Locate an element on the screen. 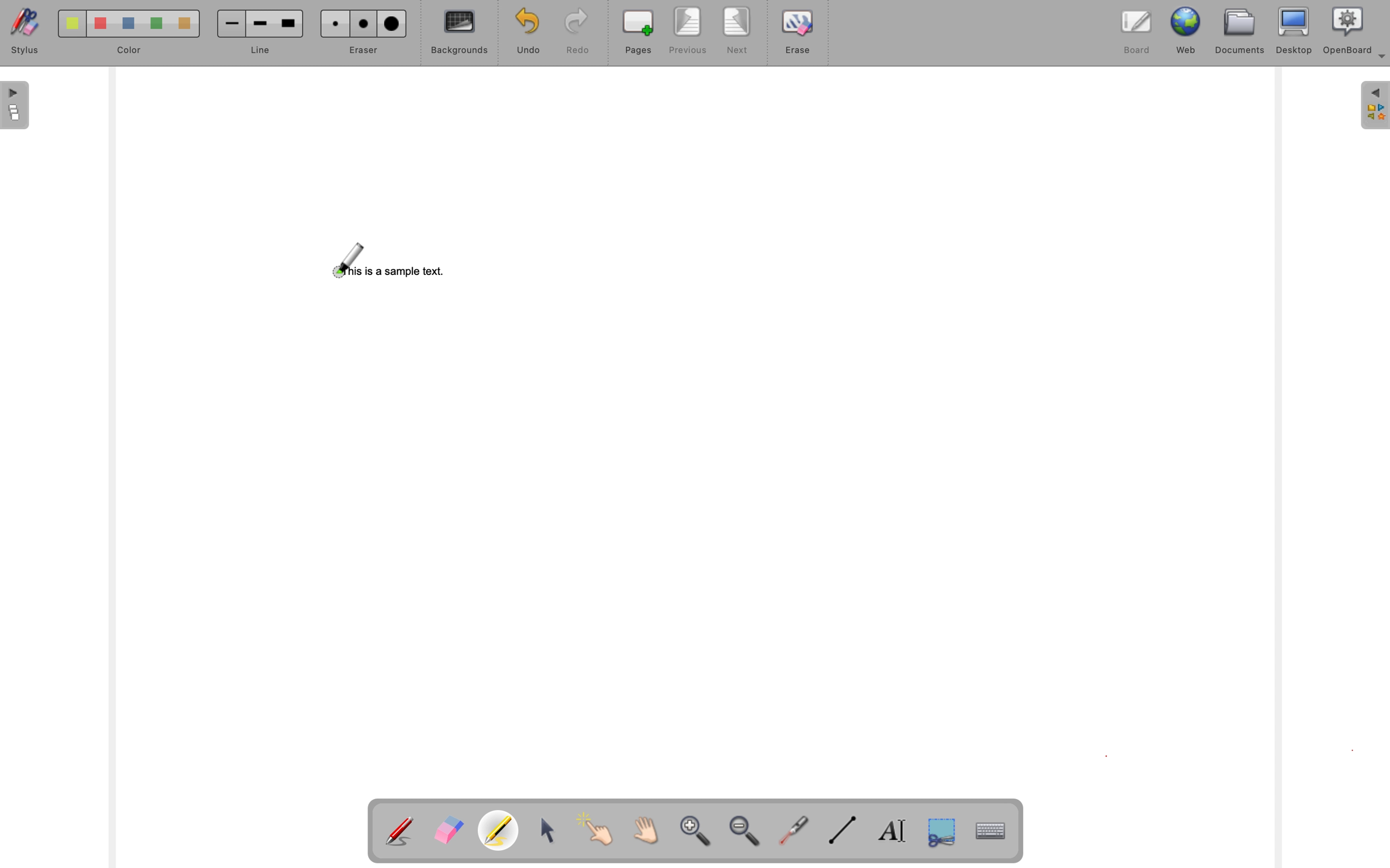 The height and width of the screenshot is (868, 1390). pages is located at coordinates (635, 32).